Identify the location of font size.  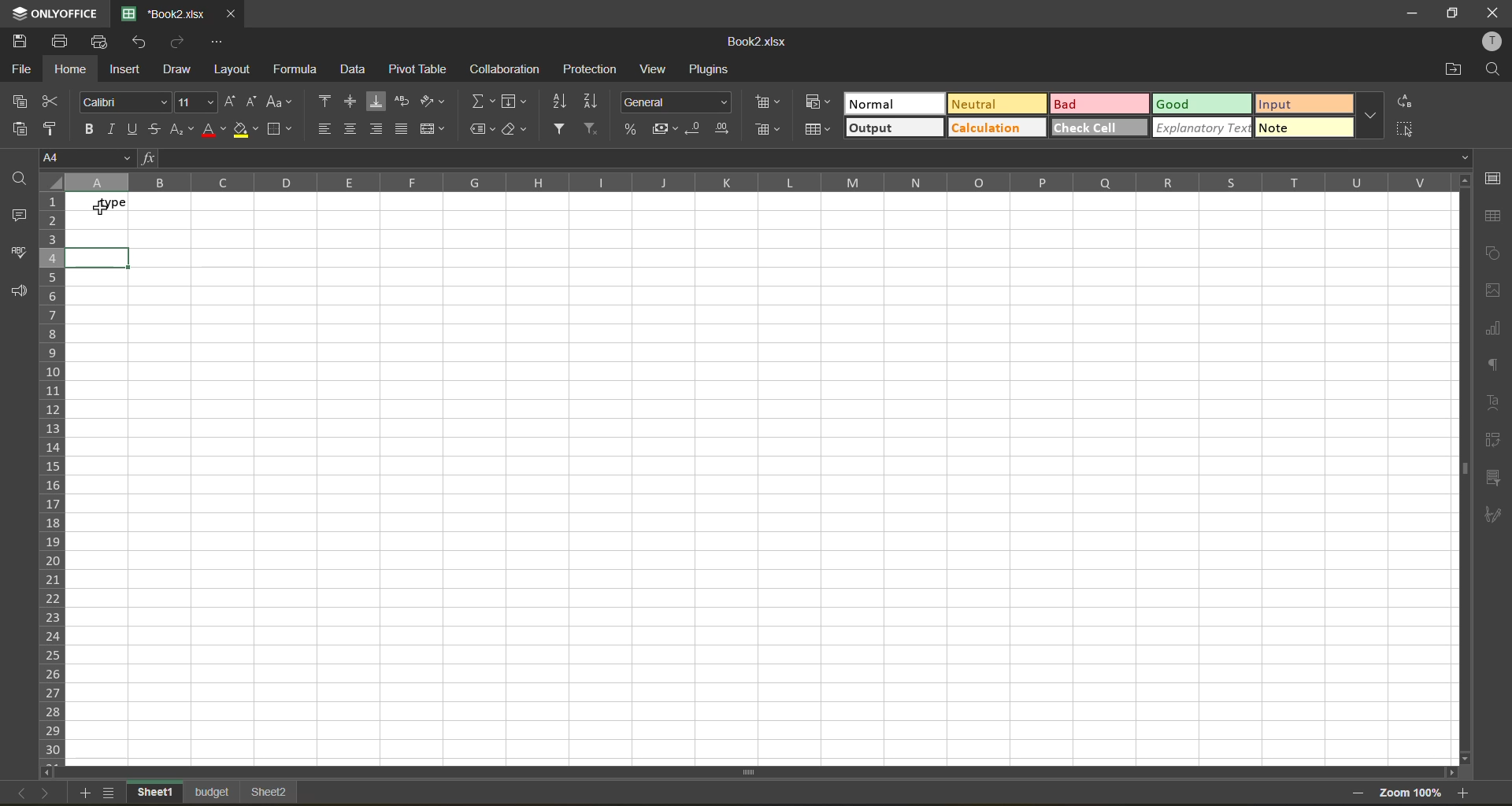
(197, 102).